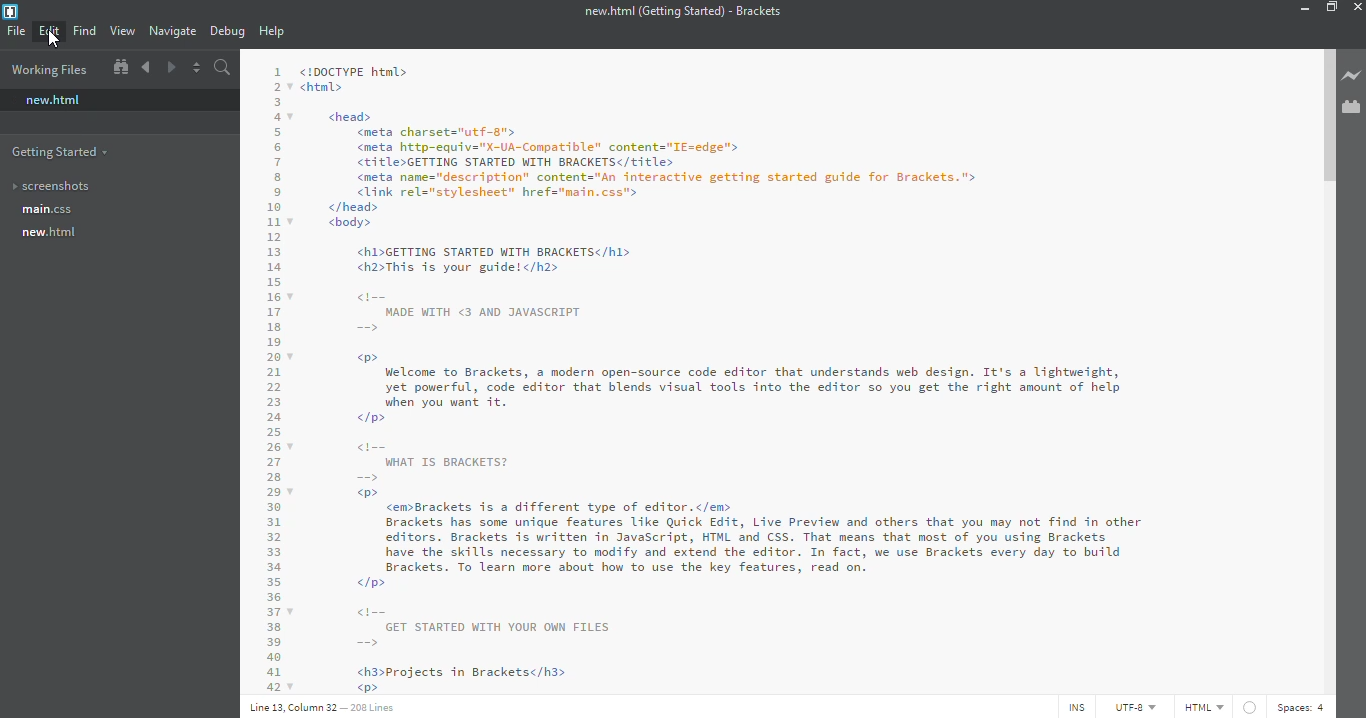 The image size is (1366, 718). I want to click on back, so click(146, 67).